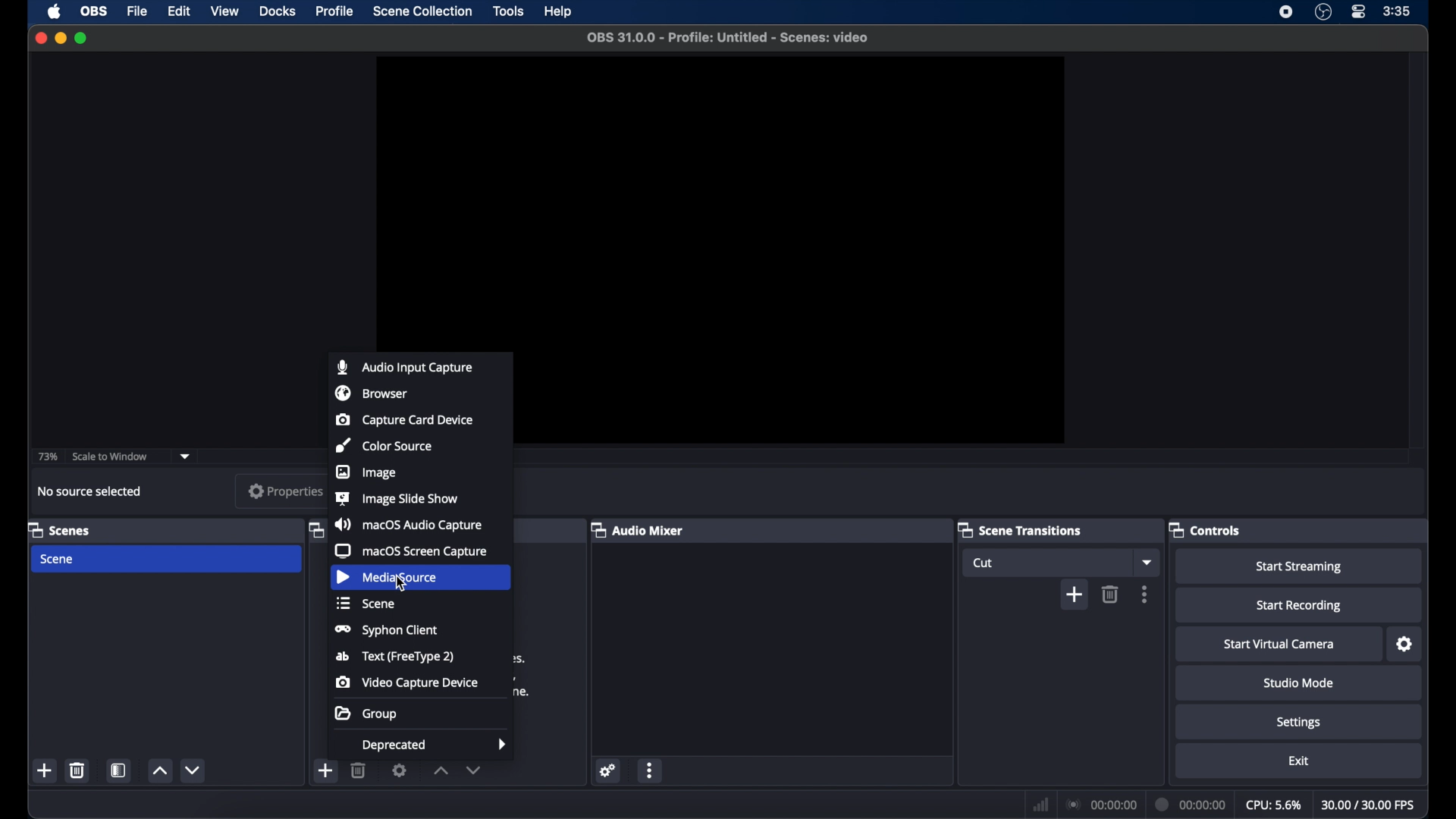  What do you see at coordinates (728, 38) in the screenshot?
I see `file name` at bounding box center [728, 38].